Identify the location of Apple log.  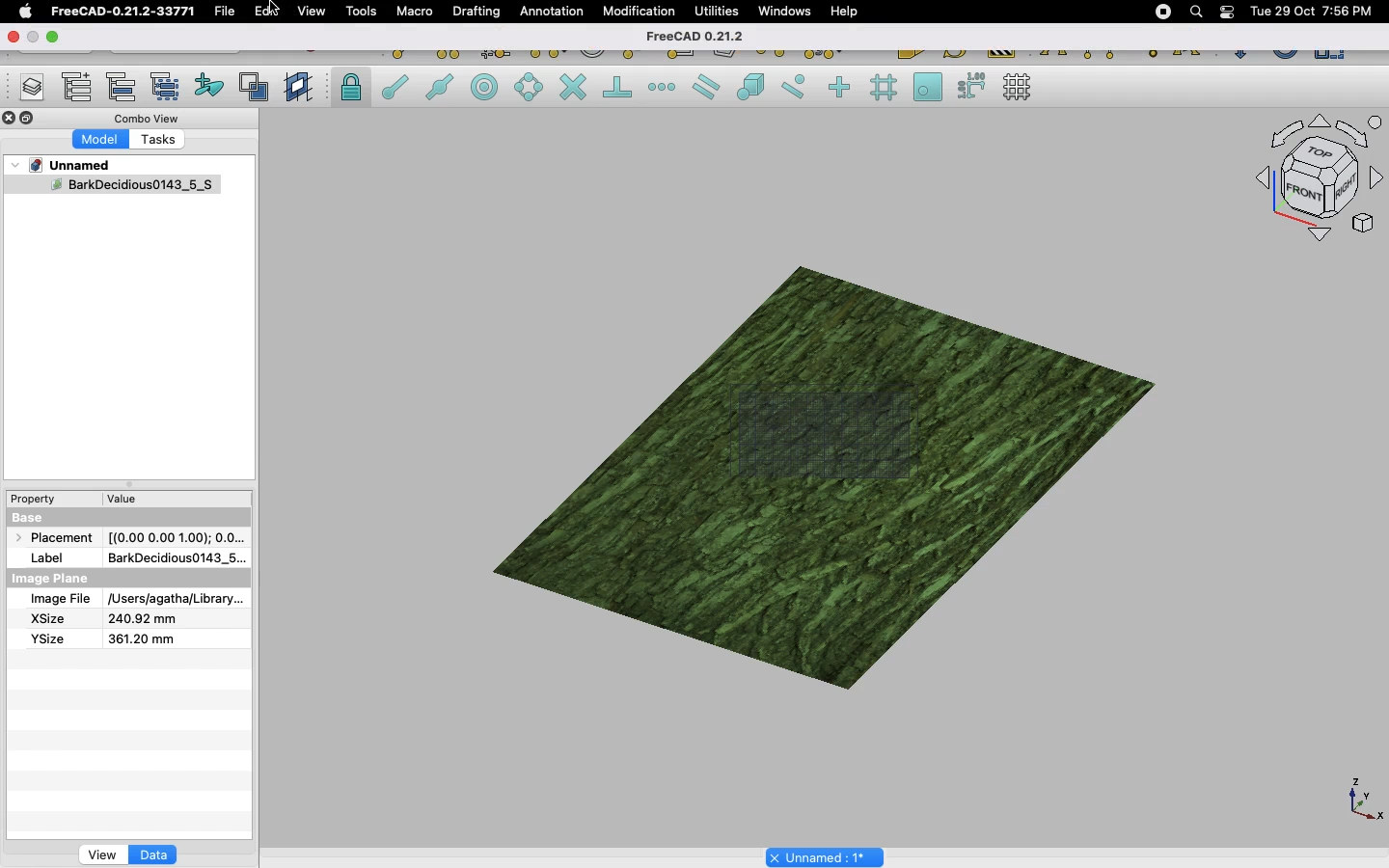
(26, 11).